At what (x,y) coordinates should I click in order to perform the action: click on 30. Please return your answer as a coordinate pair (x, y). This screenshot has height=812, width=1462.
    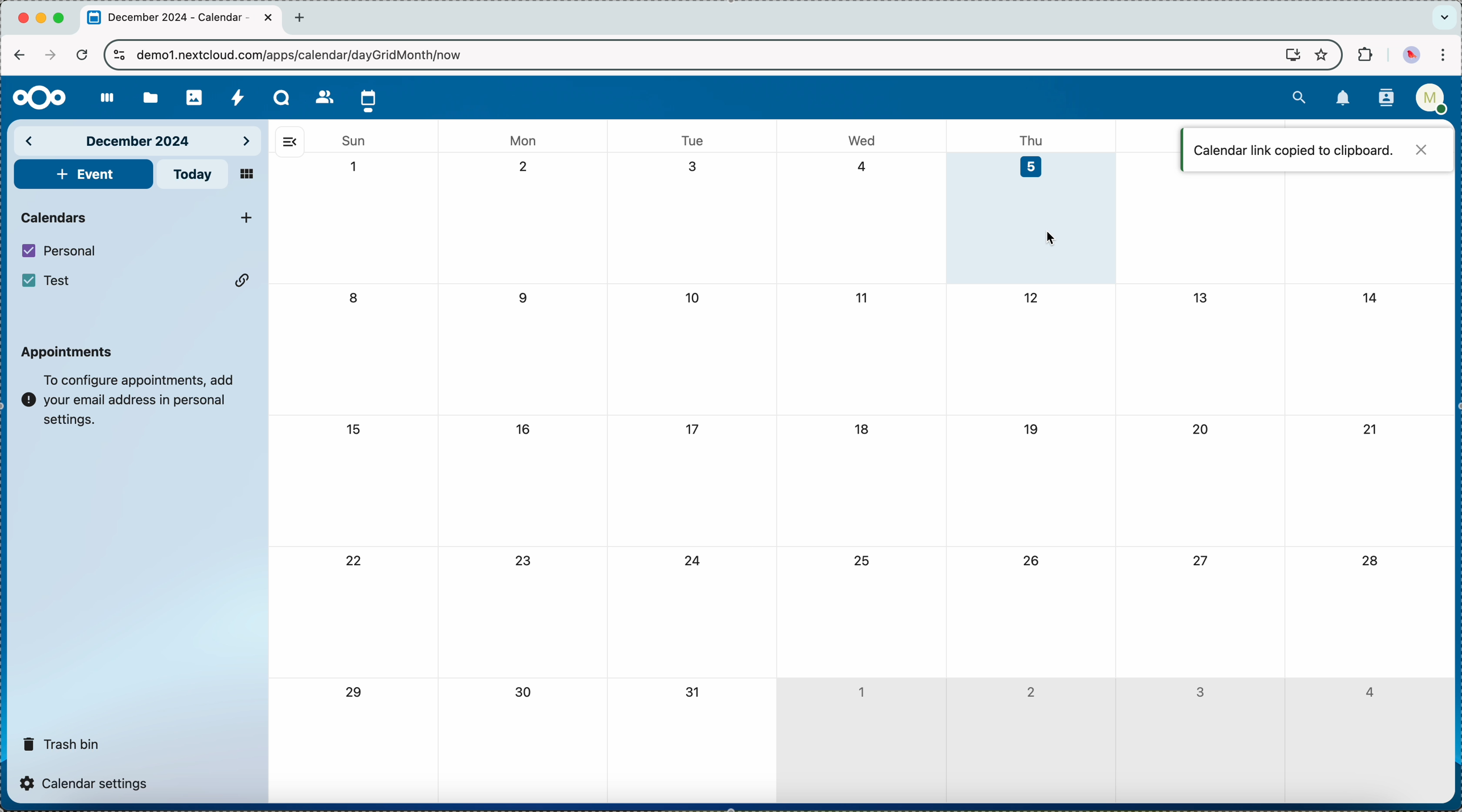
    Looking at the image, I should click on (527, 694).